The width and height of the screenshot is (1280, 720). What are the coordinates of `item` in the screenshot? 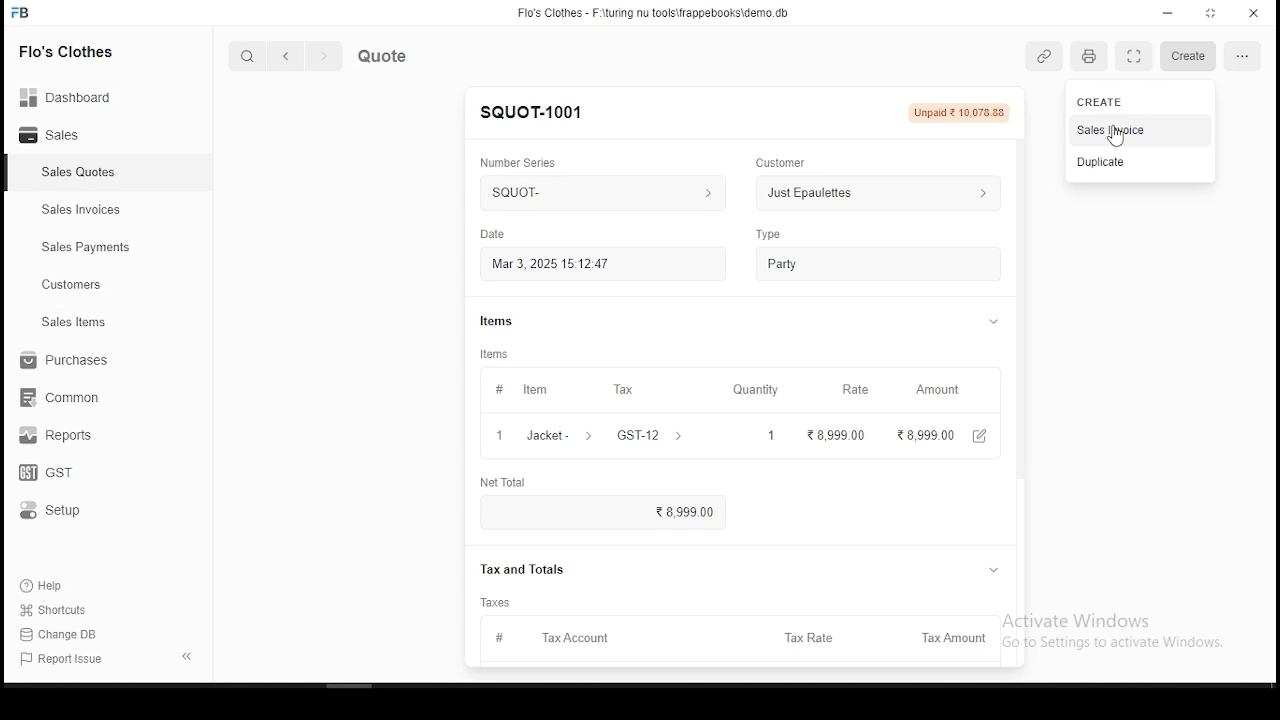 It's located at (524, 388).